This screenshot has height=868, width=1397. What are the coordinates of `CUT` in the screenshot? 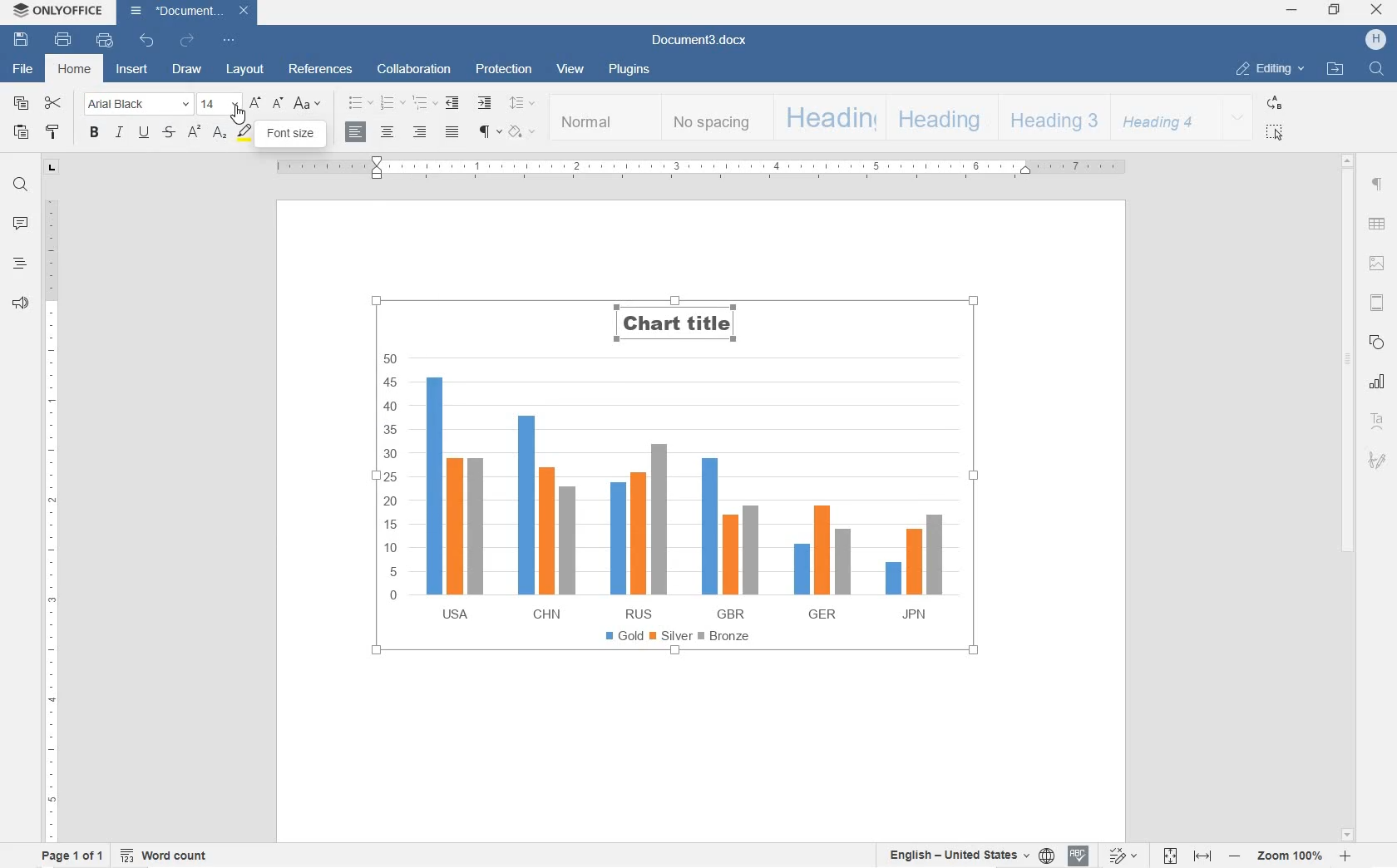 It's located at (55, 103).